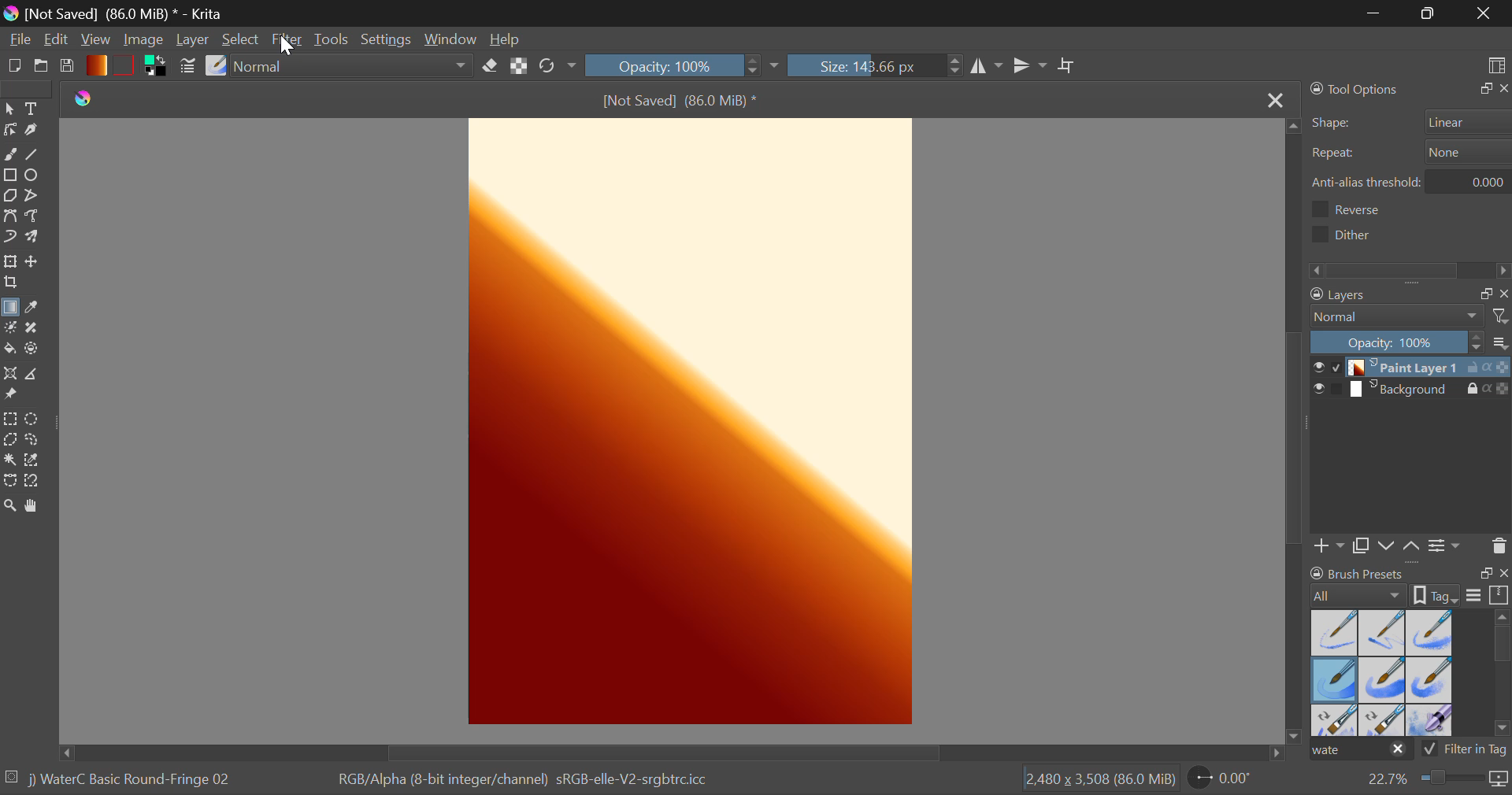 This screenshot has width=1512, height=795. I want to click on Crop, so click(10, 284).